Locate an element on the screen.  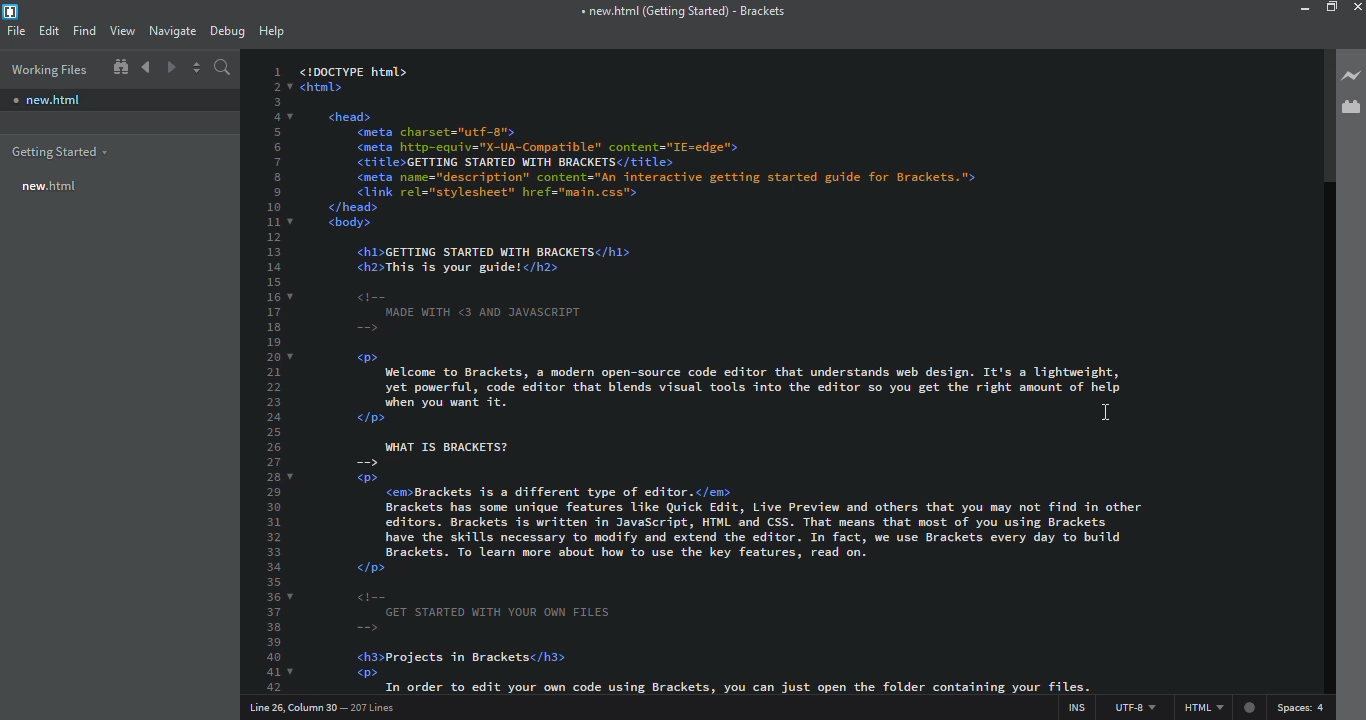
file is located at coordinates (16, 31).